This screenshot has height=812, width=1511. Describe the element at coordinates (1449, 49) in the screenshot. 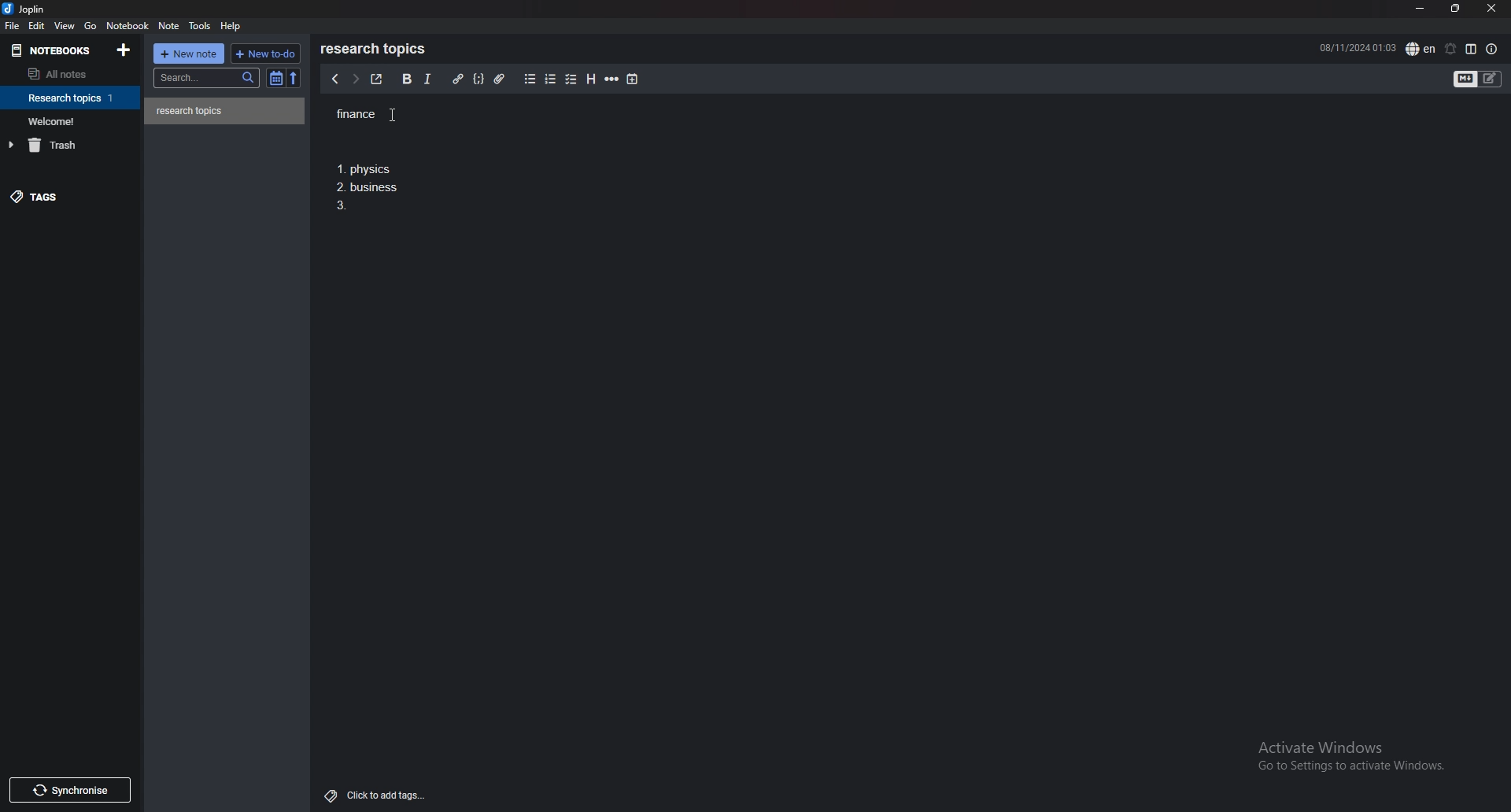

I see `set alarm` at that location.